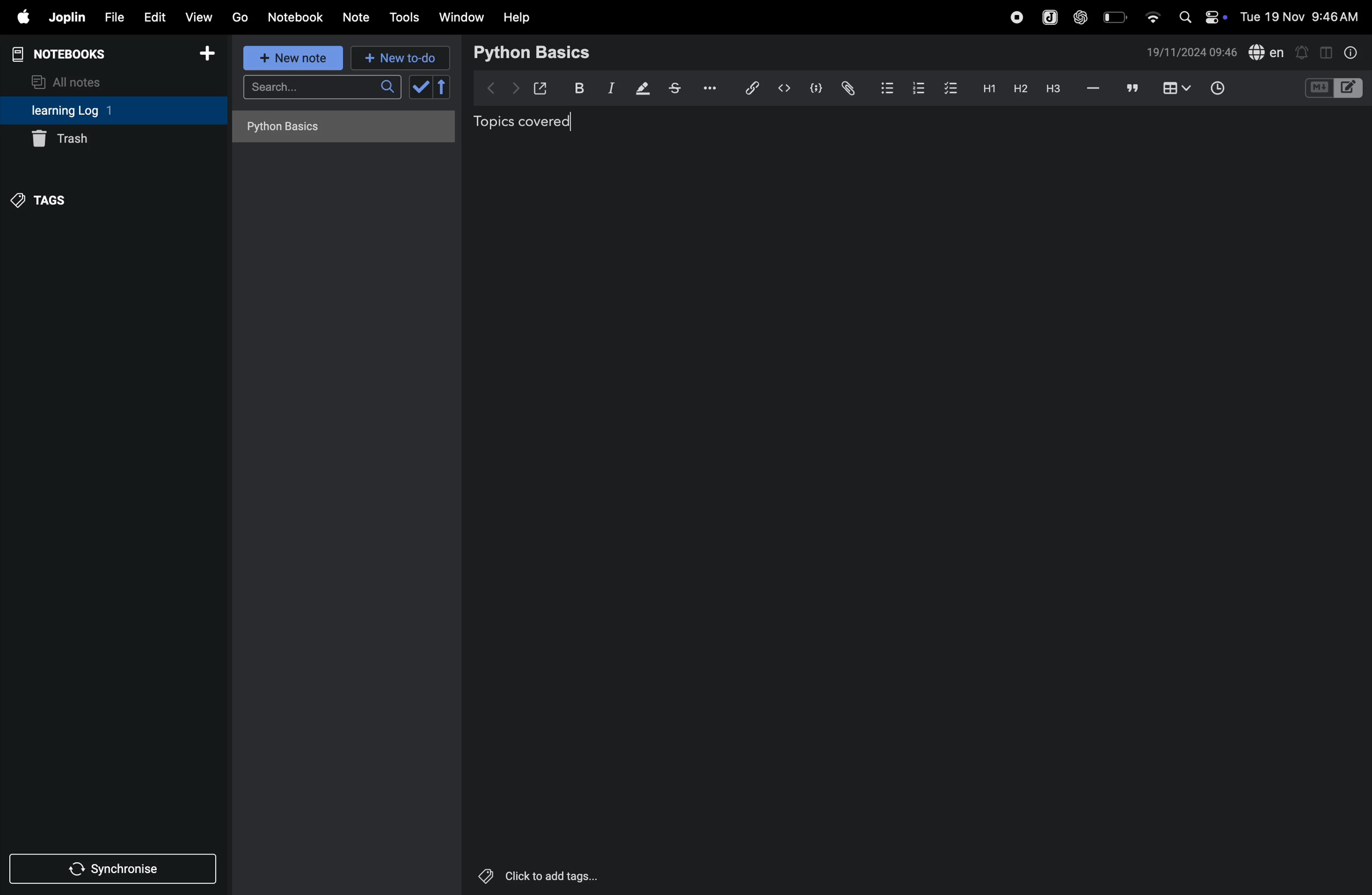 Image resolution: width=1372 pixels, height=895 pixels. Describe the element at coordinates (290, 58) in the screenshot. I see `new note` at that location.